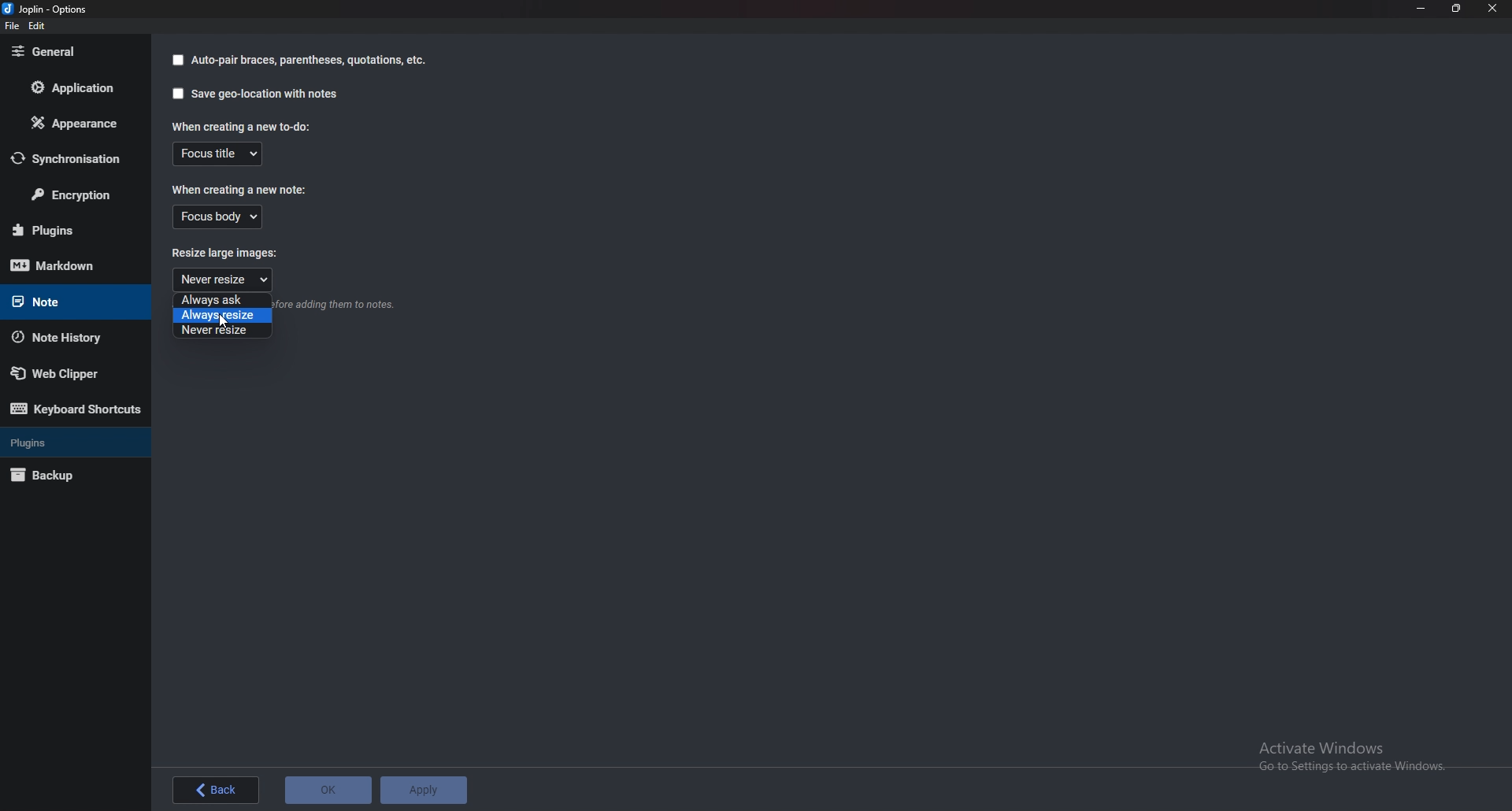 This screenshot has height=811, width=1512. What do you see at coordinates (222, 316) in the screenshot?
I see `Always resize` at bounding box center [222, 316].